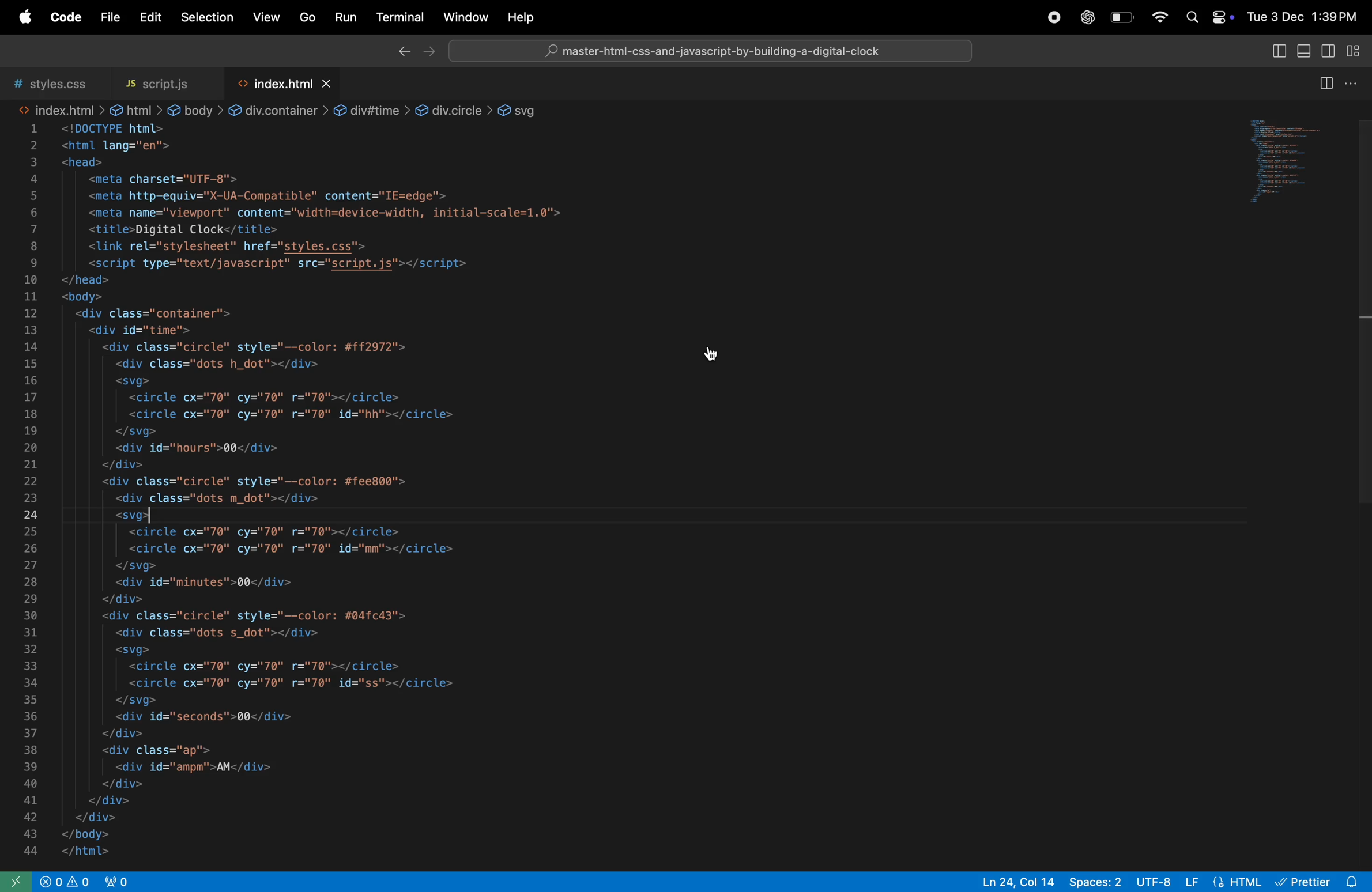 This screenshot has width=1372, height=892. What do you see at coordinates (451, 108) in the screenshot?
I see `div.circle` at bounding box center [451, 108].